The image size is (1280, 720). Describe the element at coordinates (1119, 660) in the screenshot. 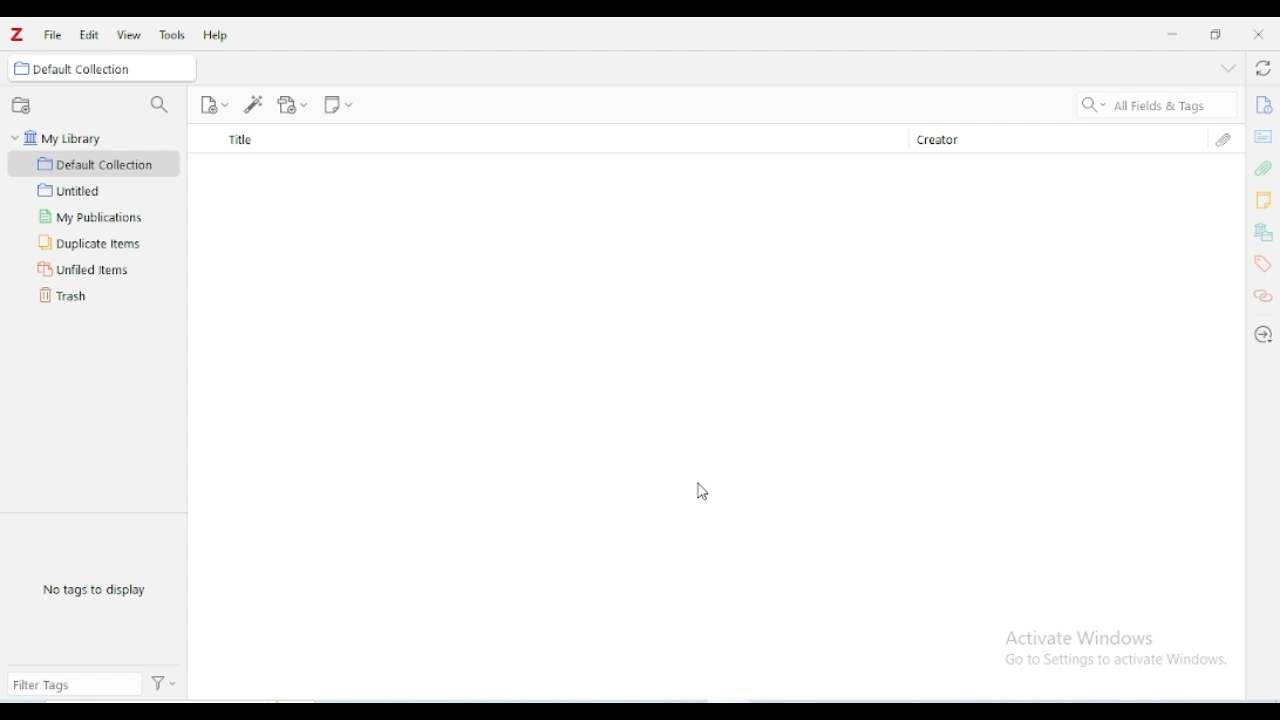

I see `Go to Settings to activate Windows.` at that location.